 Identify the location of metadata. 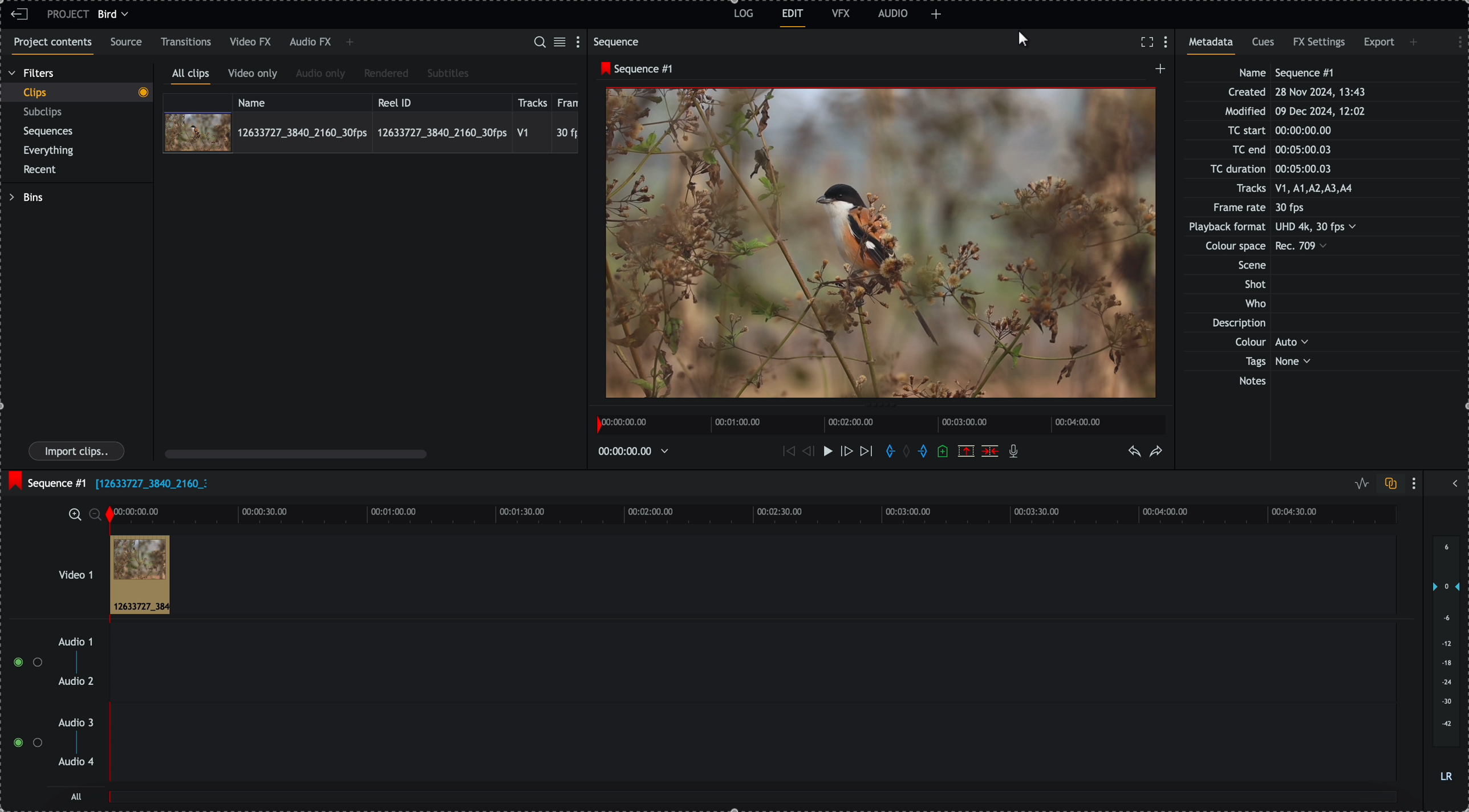
(1215, 46).